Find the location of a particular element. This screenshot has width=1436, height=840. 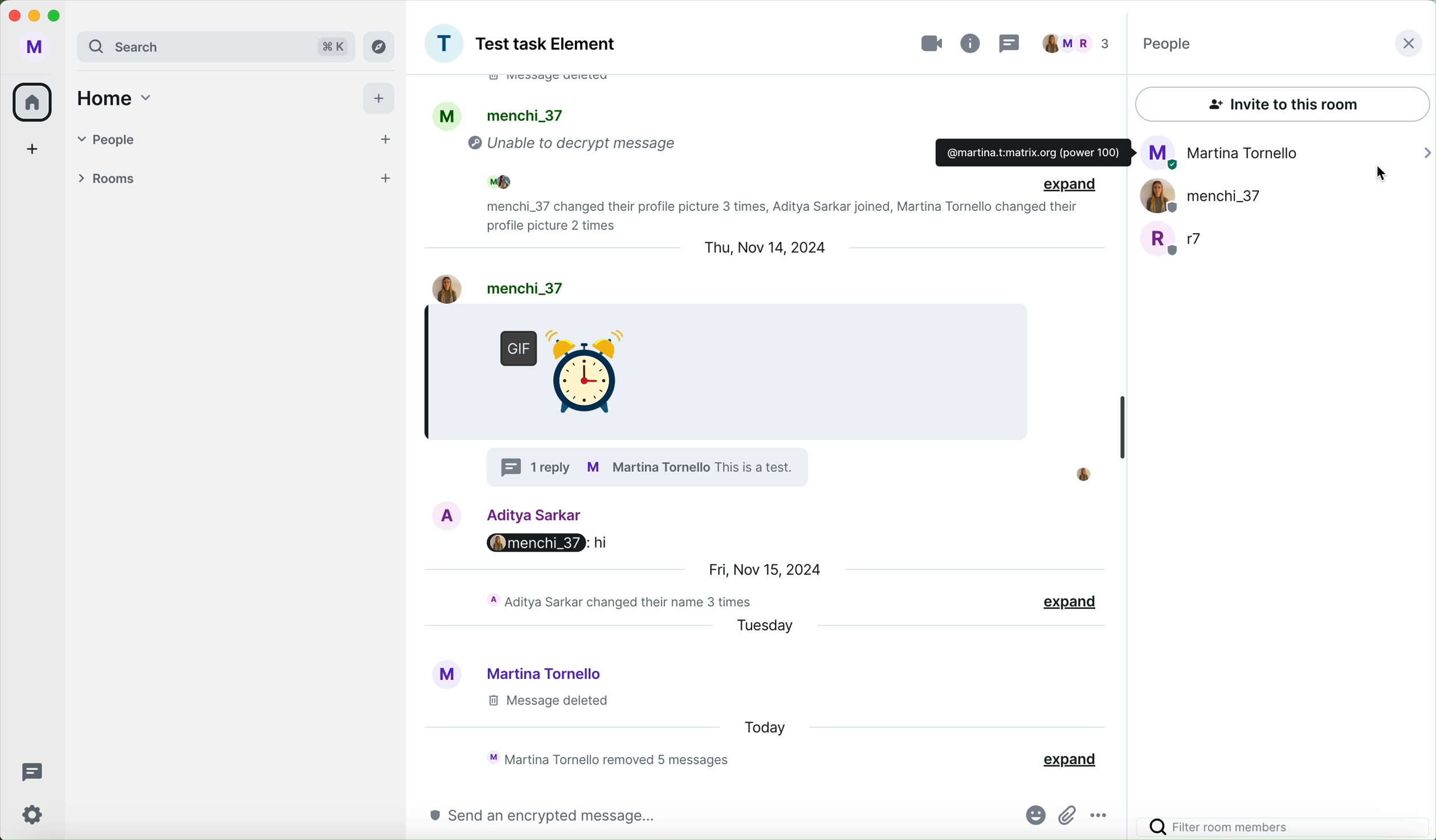

menchi_37 user is located at coordinates (1202, 196).